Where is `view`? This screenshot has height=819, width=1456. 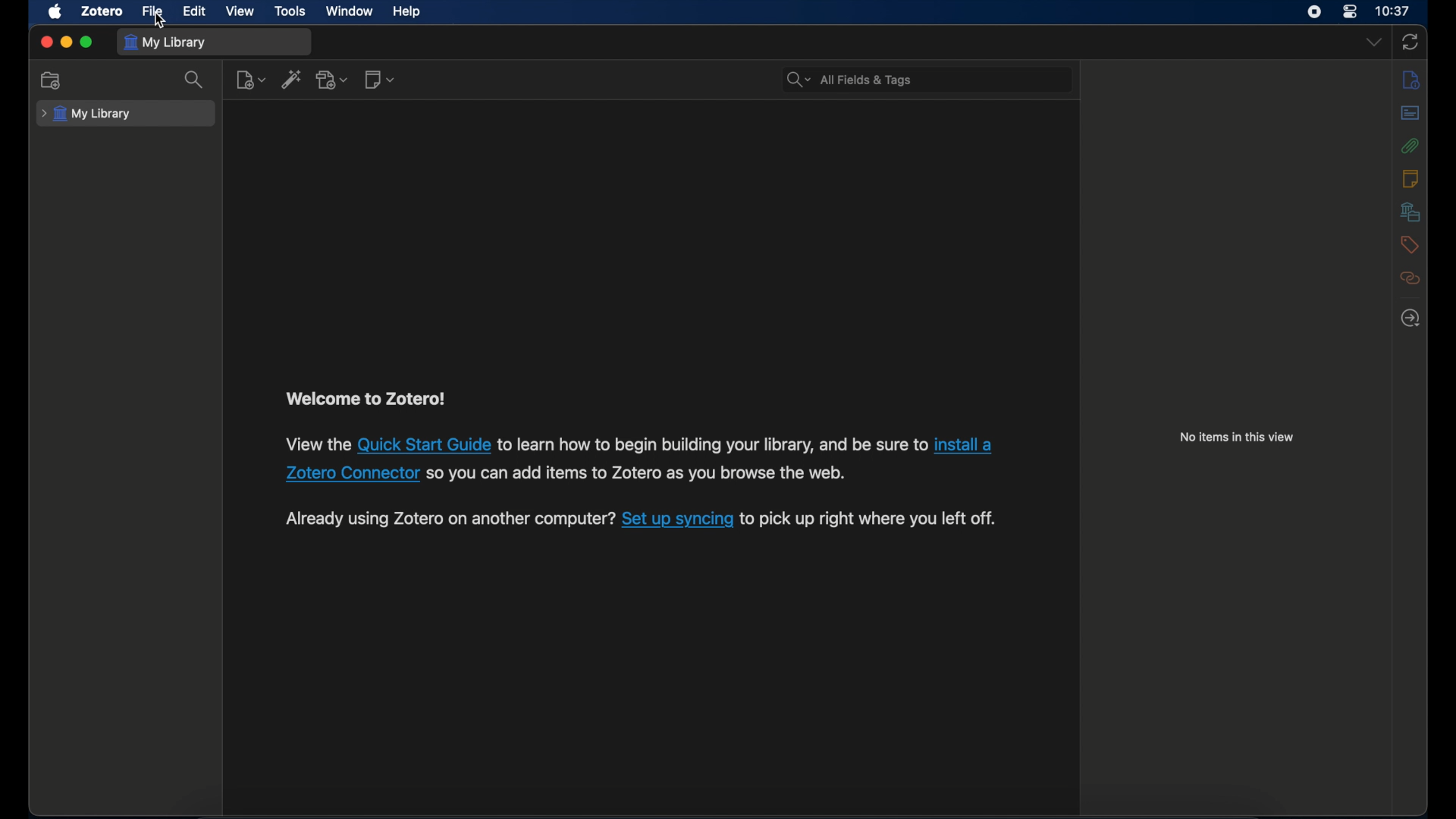
view is located at coordinates (241, 12).